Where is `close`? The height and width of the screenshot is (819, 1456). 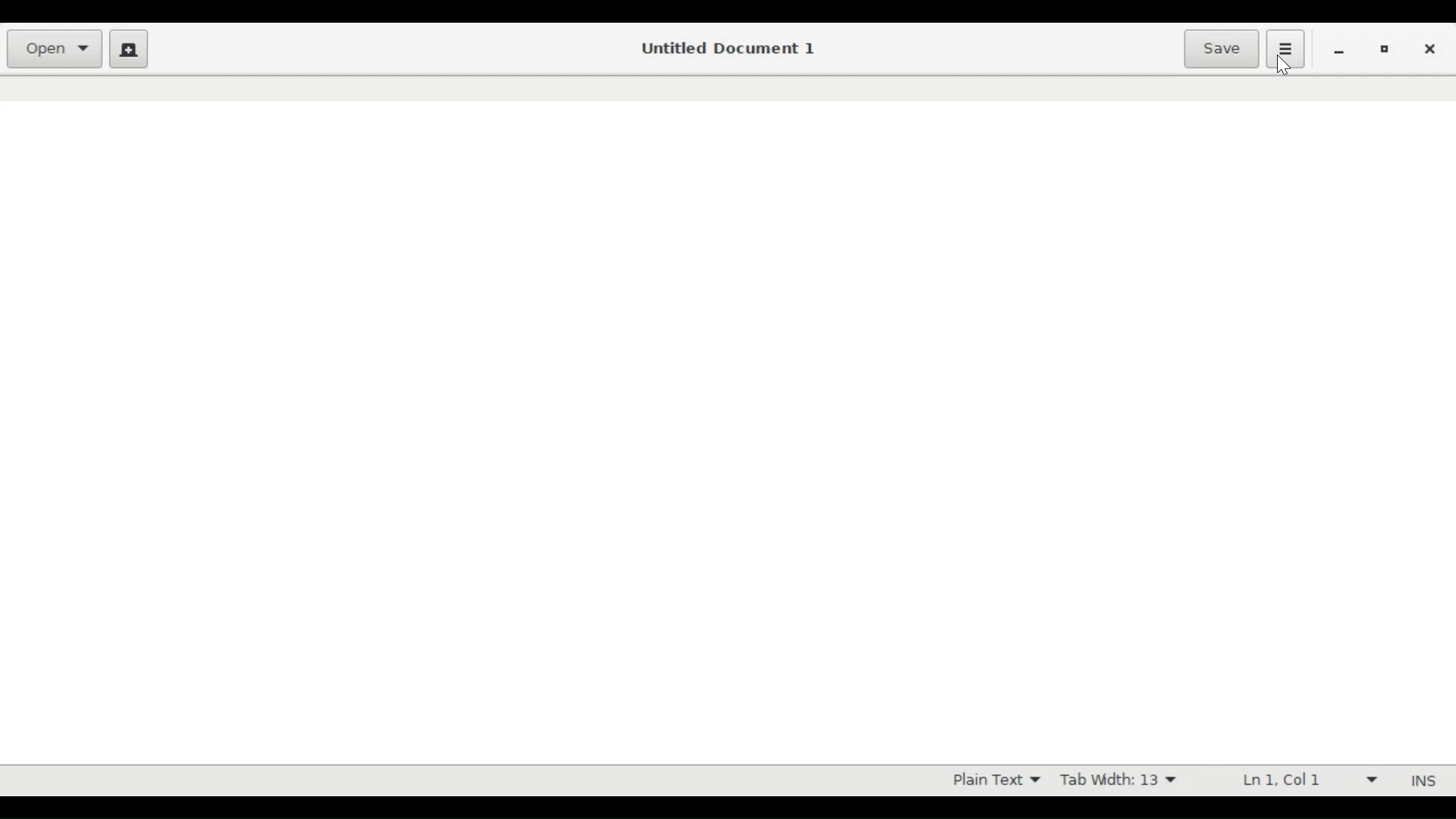 close is located at coordinates (1429, 49).